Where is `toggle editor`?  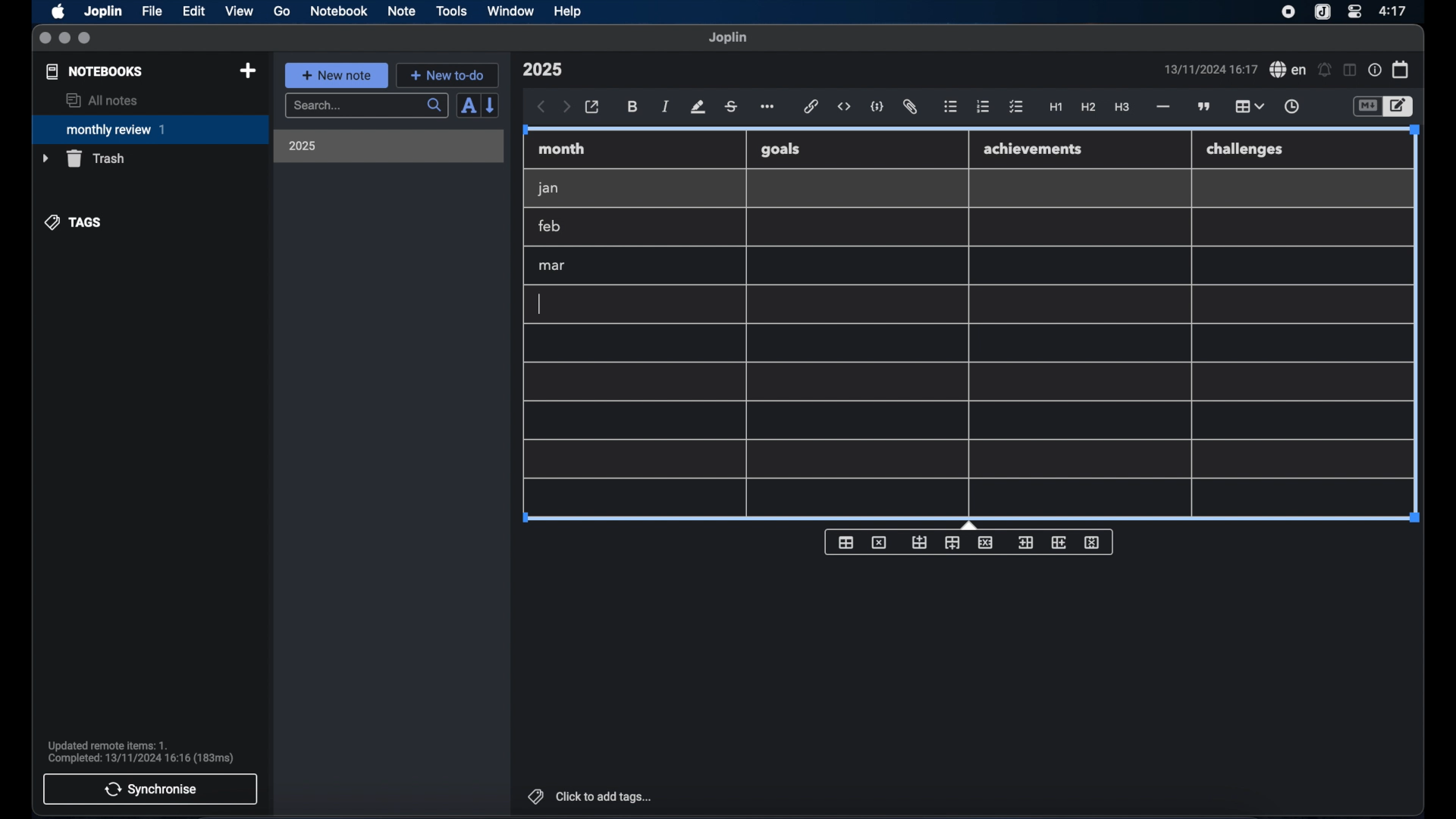
toggle editor is located at coordinates (1401, 107).